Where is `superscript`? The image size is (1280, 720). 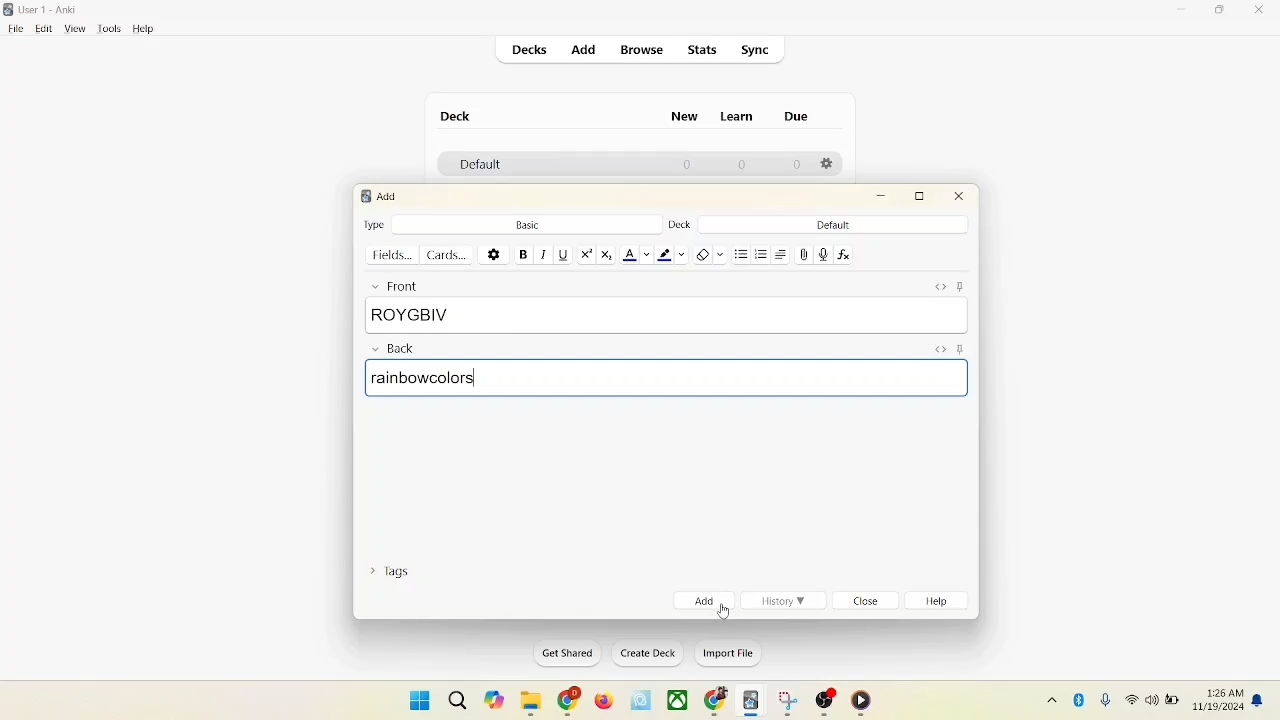 superscript is located at coordinates (586, 254).